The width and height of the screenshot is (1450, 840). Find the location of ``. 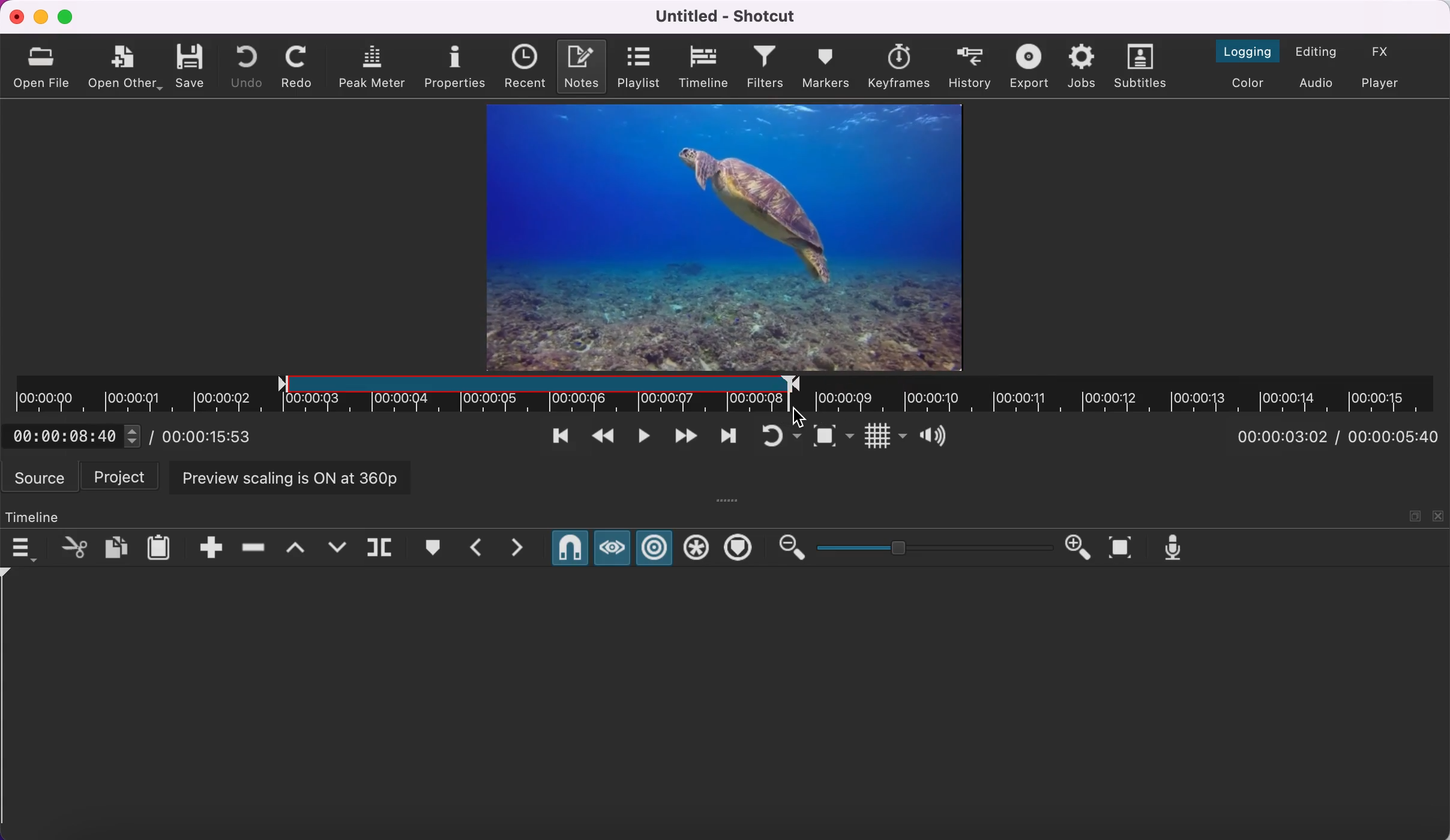

 is located at coordinates (933, 435).